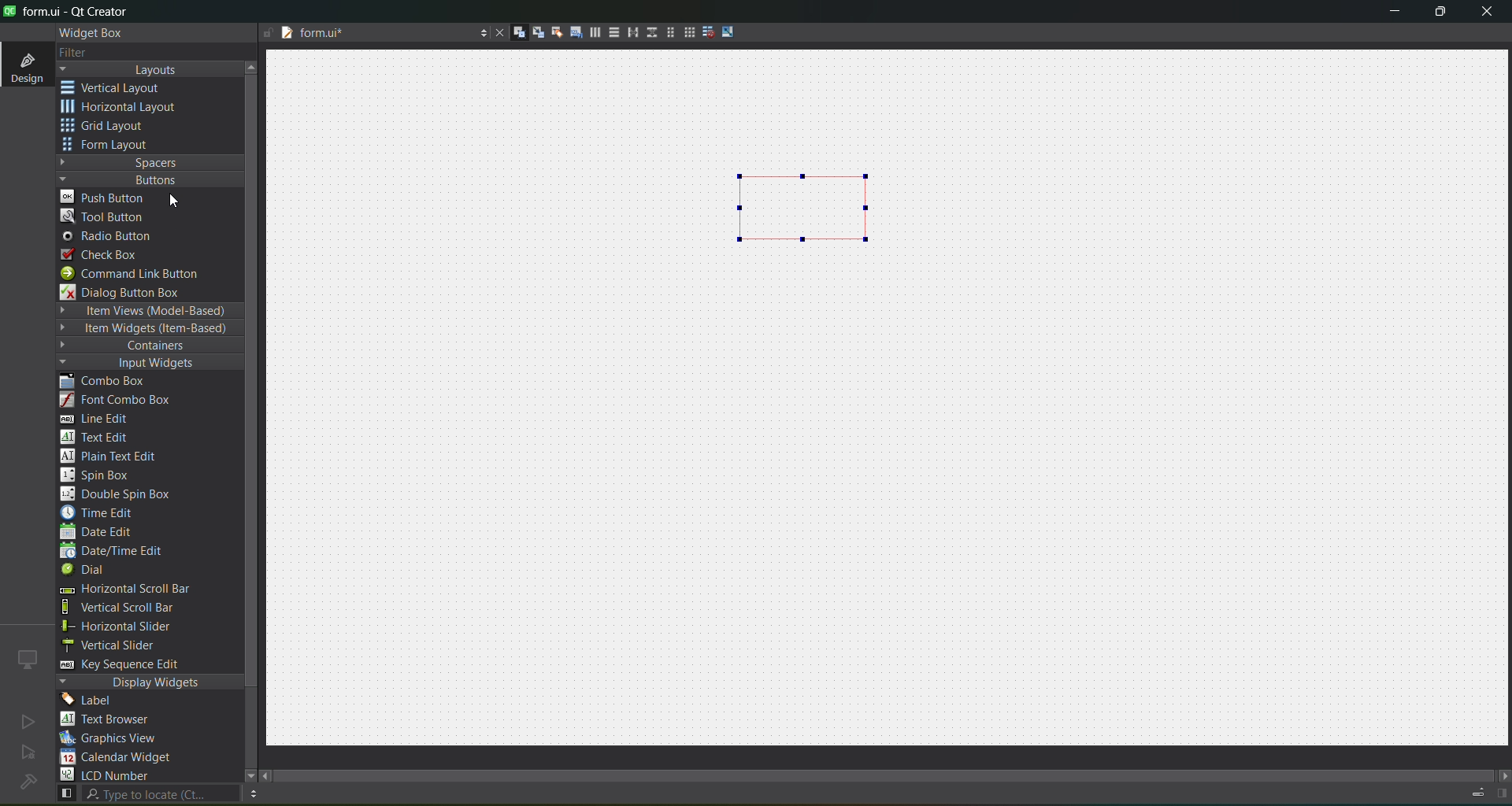 The height and width of the screenshot is (806, 1512). What do you see at coordinates (896, 771) in the screenshot?
I see `scroll bar` at bounding box center [896, 771].